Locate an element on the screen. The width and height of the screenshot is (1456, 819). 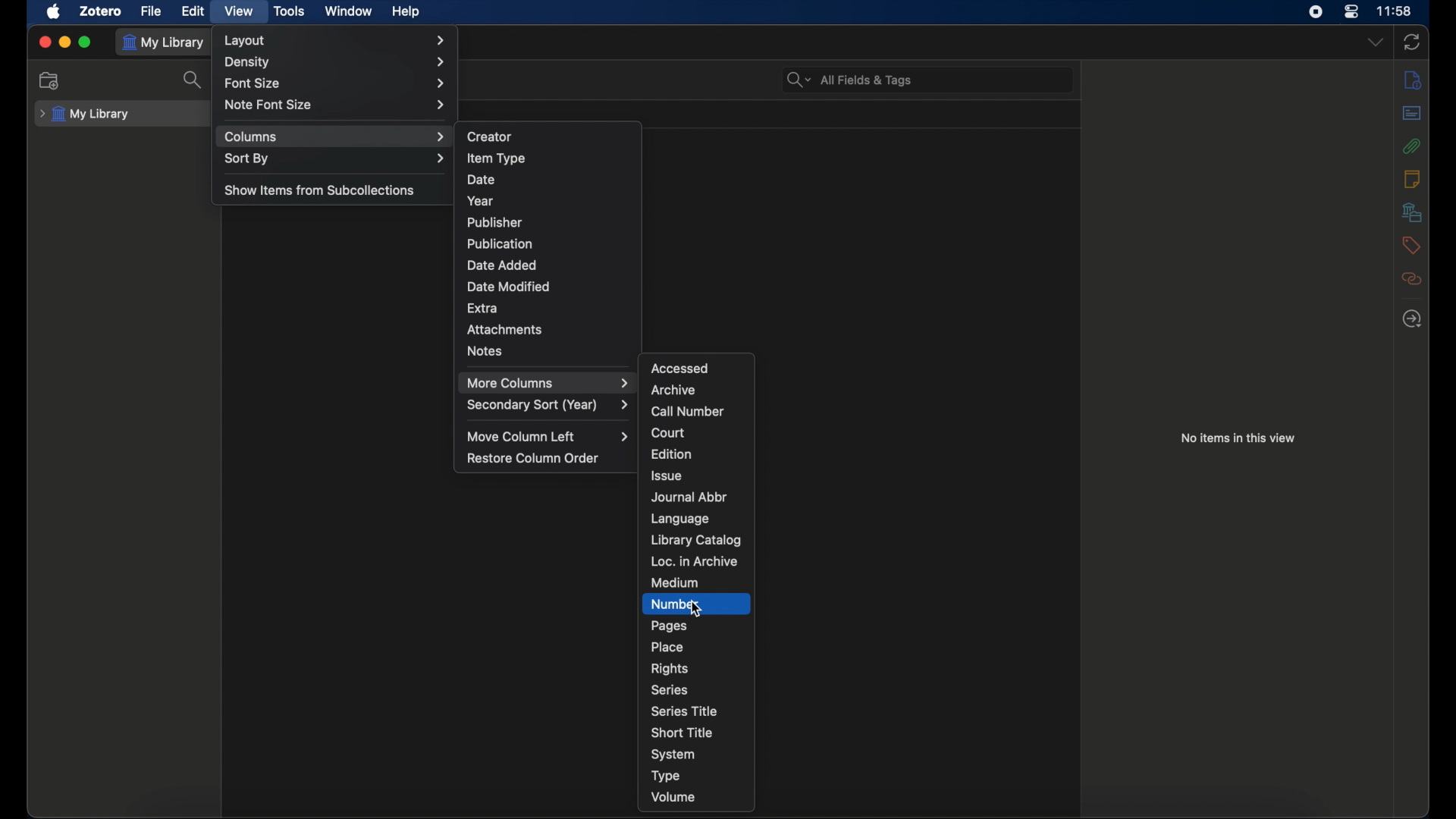
tools is located at coordinates (290, 11).